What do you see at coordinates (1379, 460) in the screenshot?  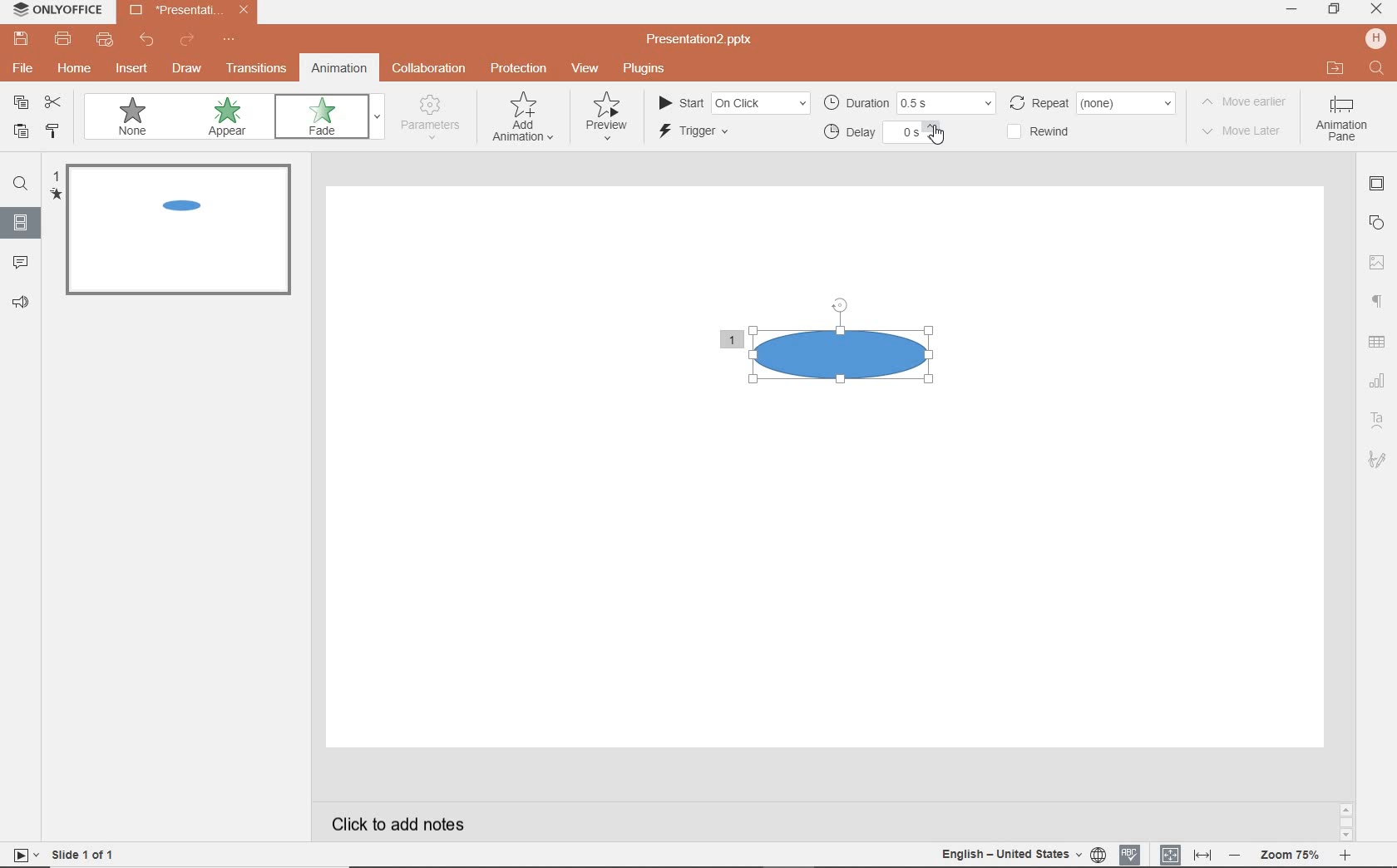 I see `signature` at bounding box center [1379, 460].